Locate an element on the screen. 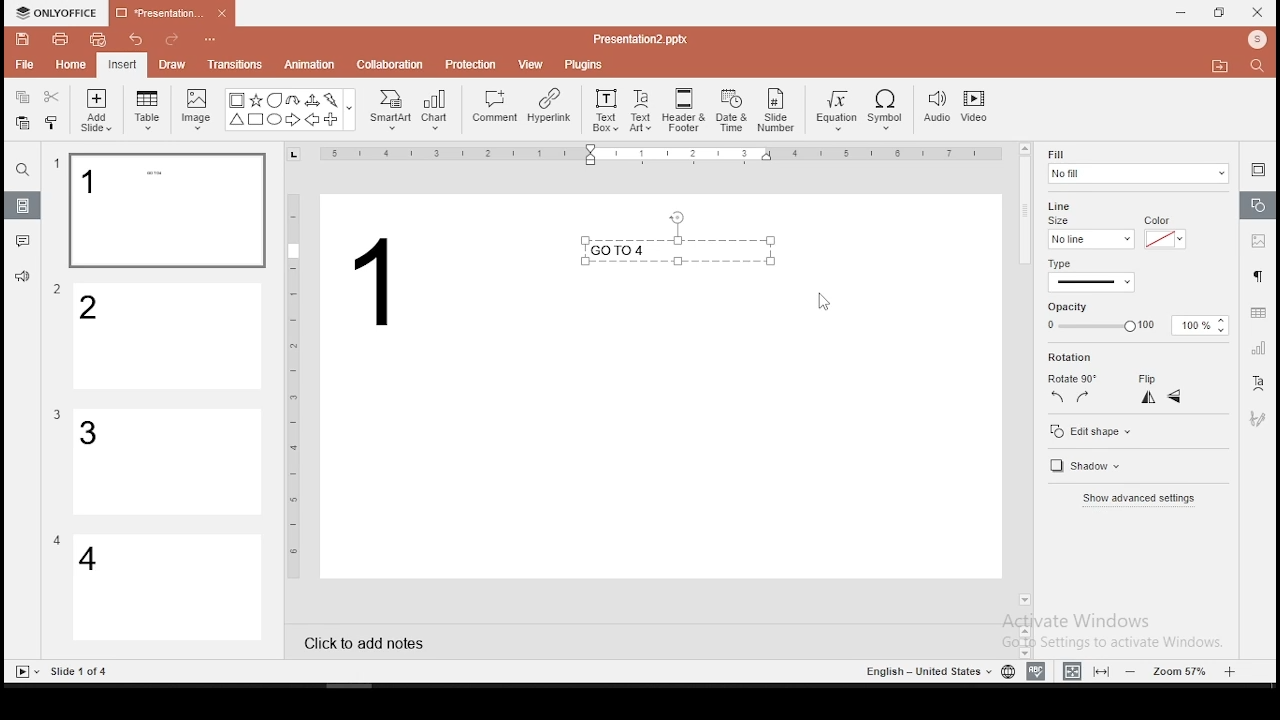 Image resolution: width=1280 pixels, height=720 pixels. find is located at coordinates (22, 170).